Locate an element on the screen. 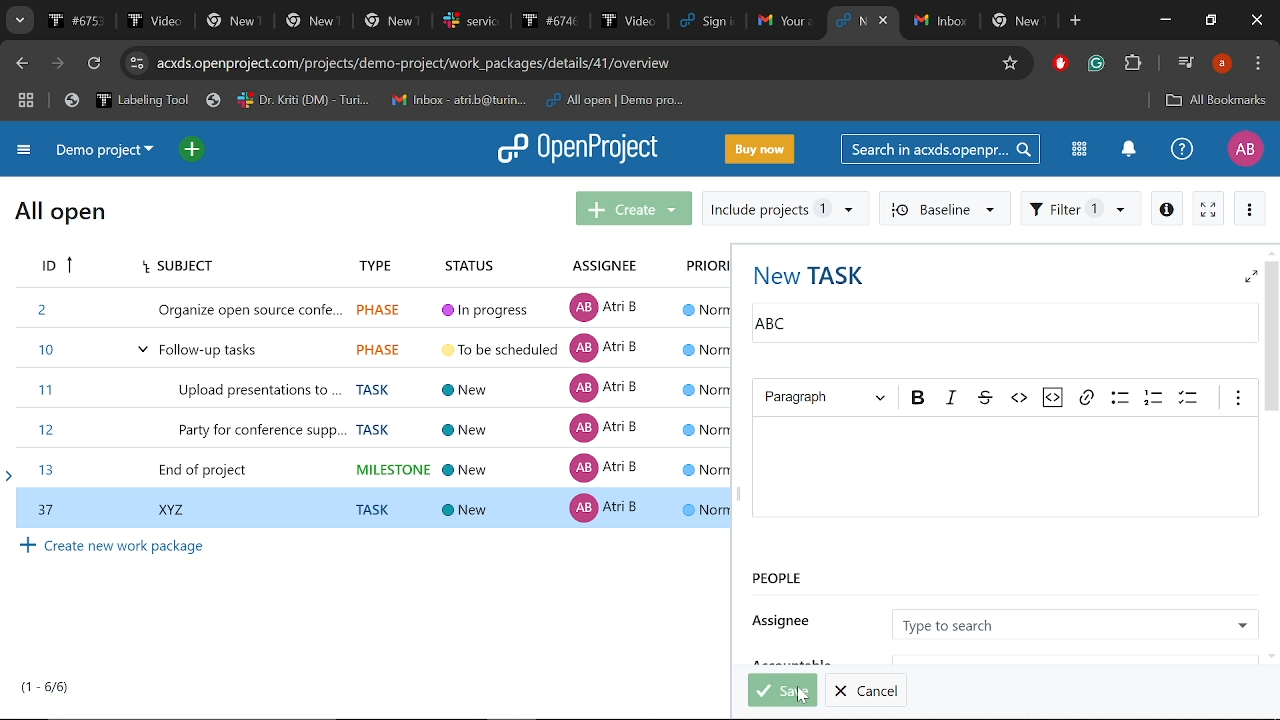 This screenshot has height=720, width=1280. Existing tasks is located at coordinates (370, 386).